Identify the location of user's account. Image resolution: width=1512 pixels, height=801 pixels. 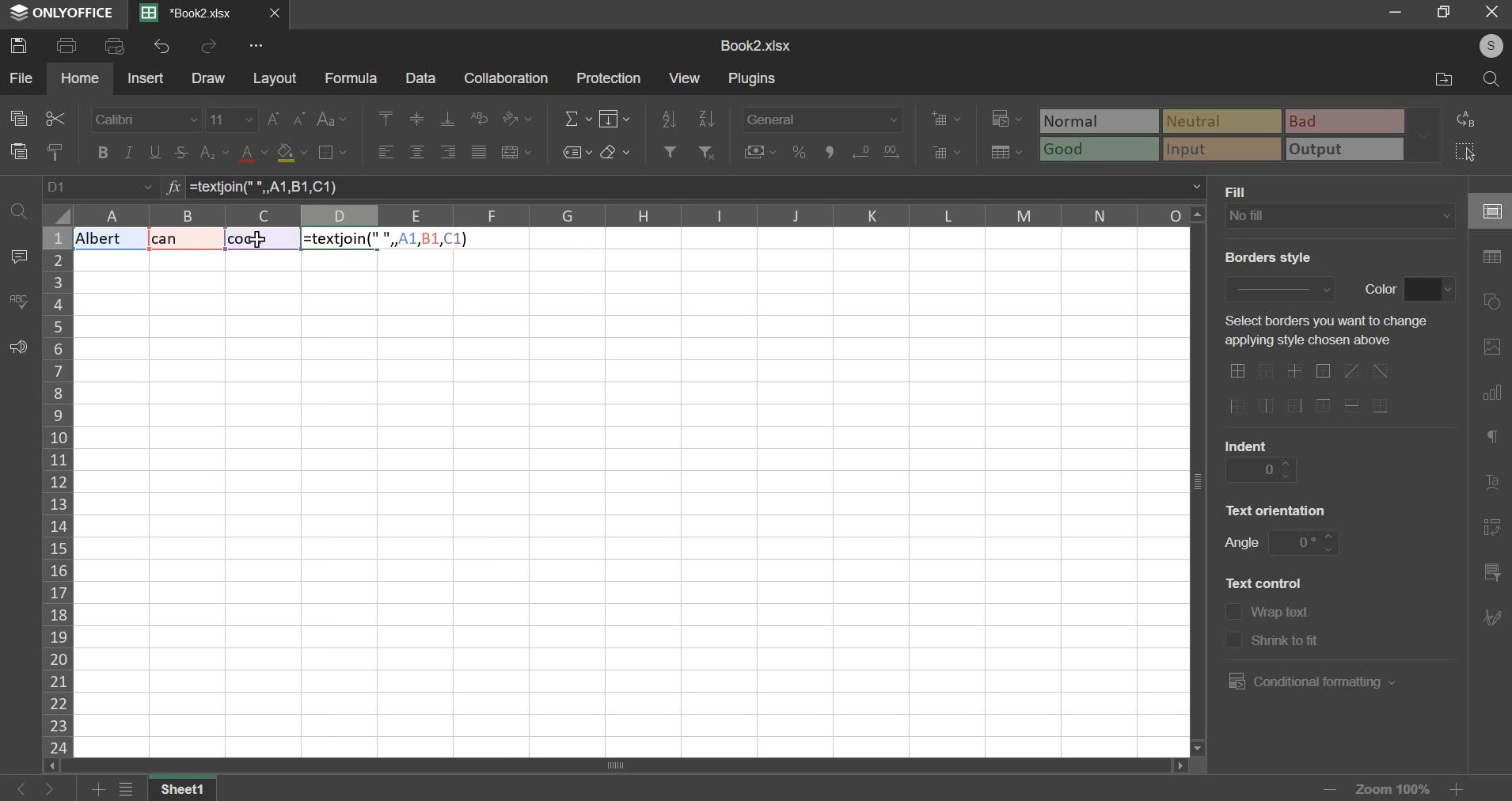
(1482, 44).